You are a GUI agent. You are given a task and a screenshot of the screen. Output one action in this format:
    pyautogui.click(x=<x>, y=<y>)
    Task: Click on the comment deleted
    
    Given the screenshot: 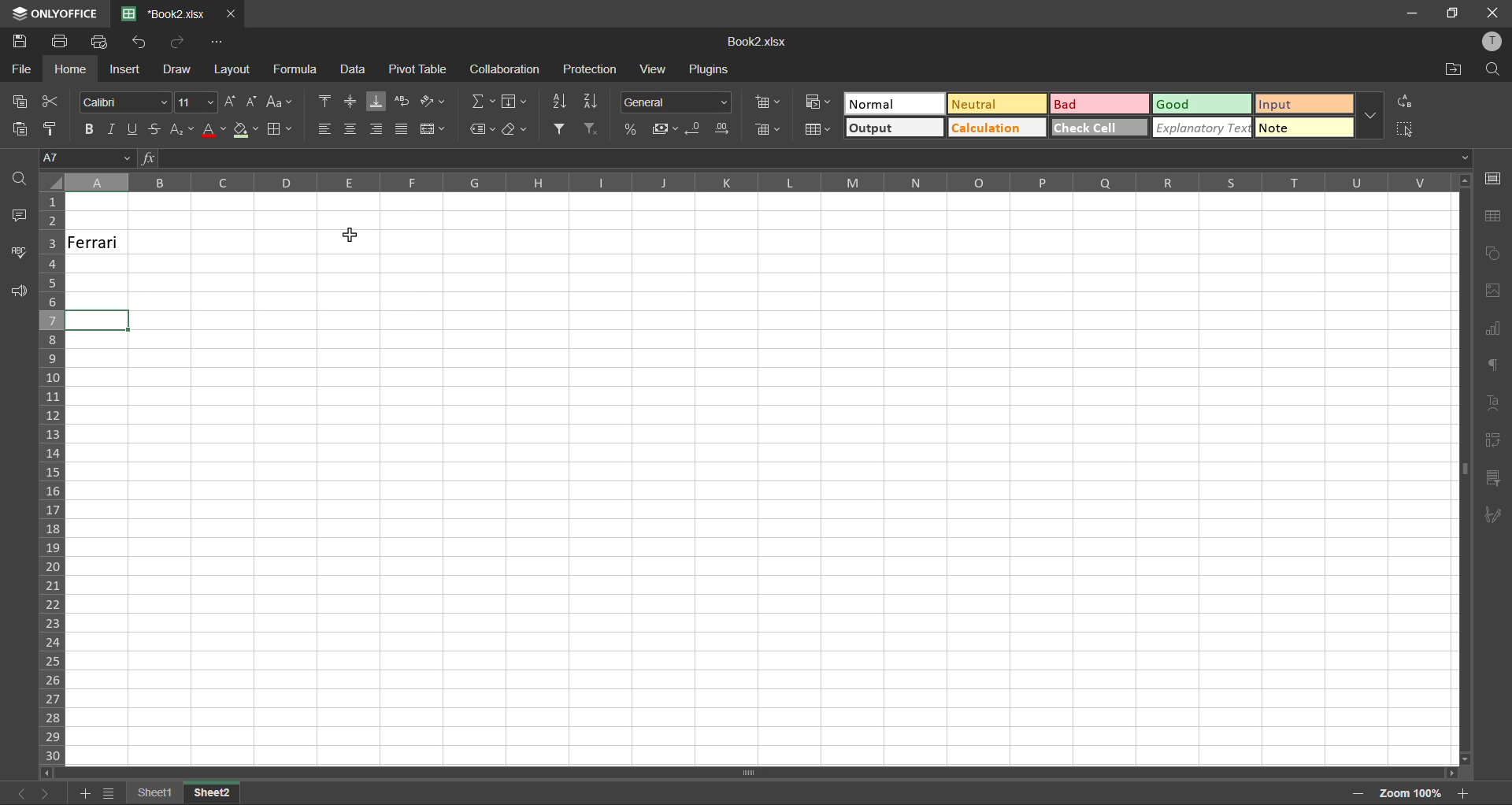 What is the action you would take?
    pyautogui.click(x=95, y=243)
    